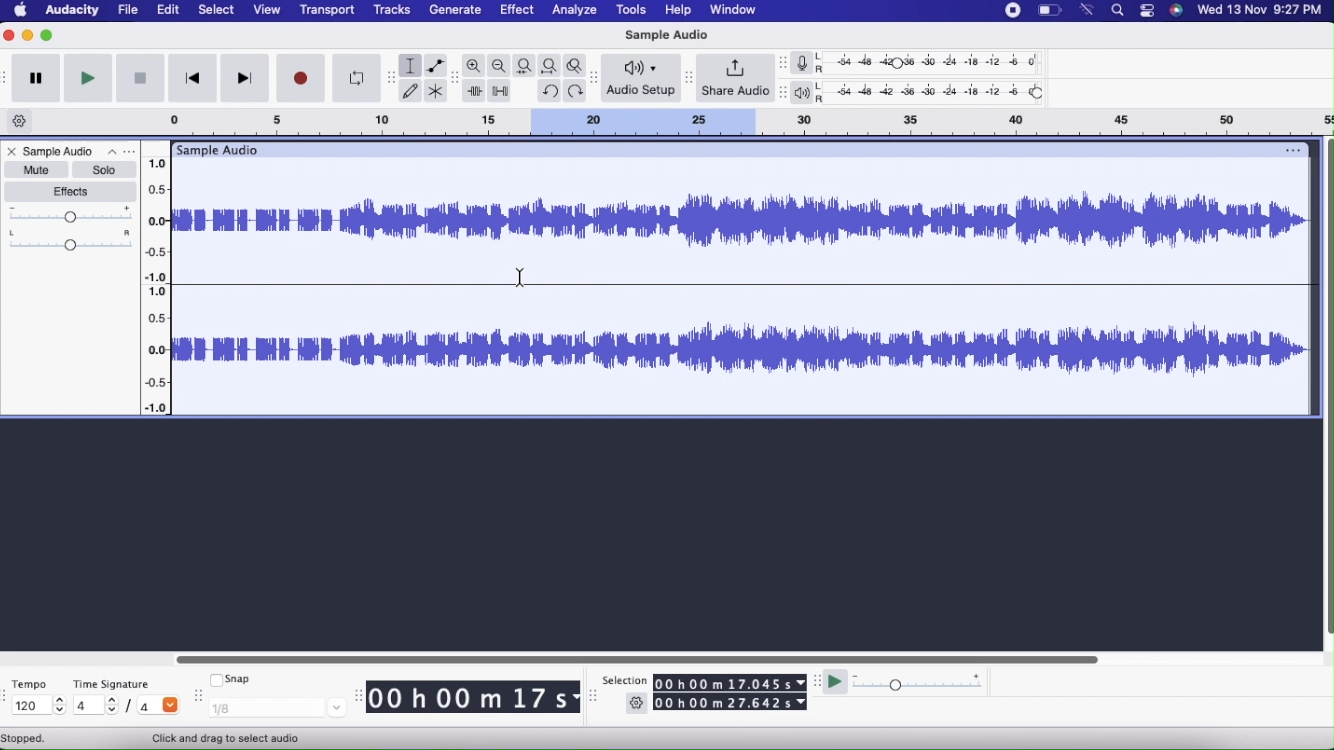 The height and width of the screenshot is (750, 1334). What do you see at coordinates (816, 680) in the screenshot?
I see `move toolbar` at bounding box center [816, 680].